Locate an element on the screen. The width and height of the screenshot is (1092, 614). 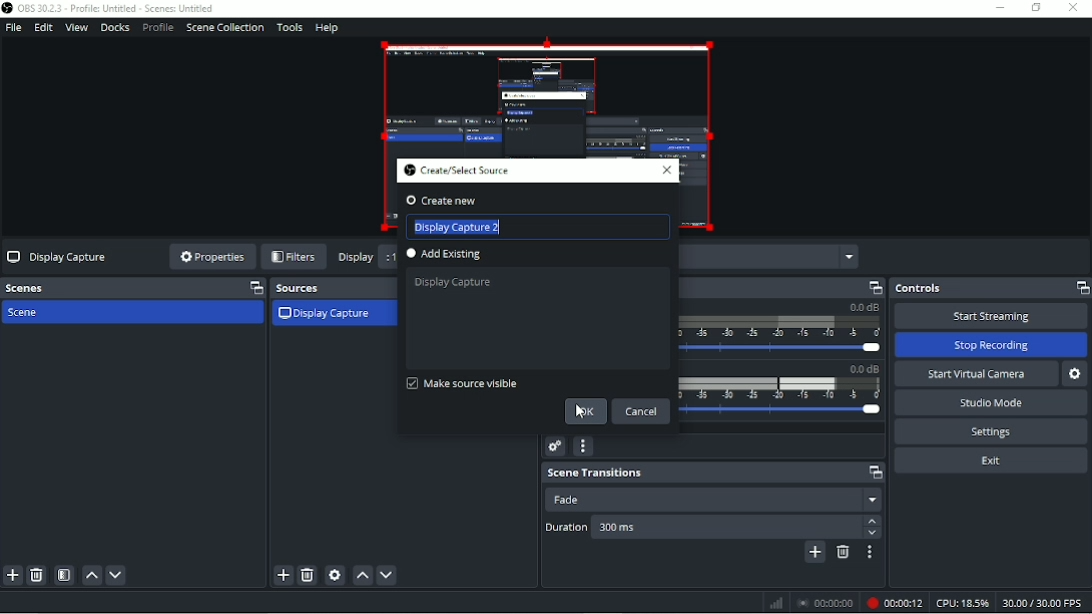
Add Existing is located at coordinates (448, 255).